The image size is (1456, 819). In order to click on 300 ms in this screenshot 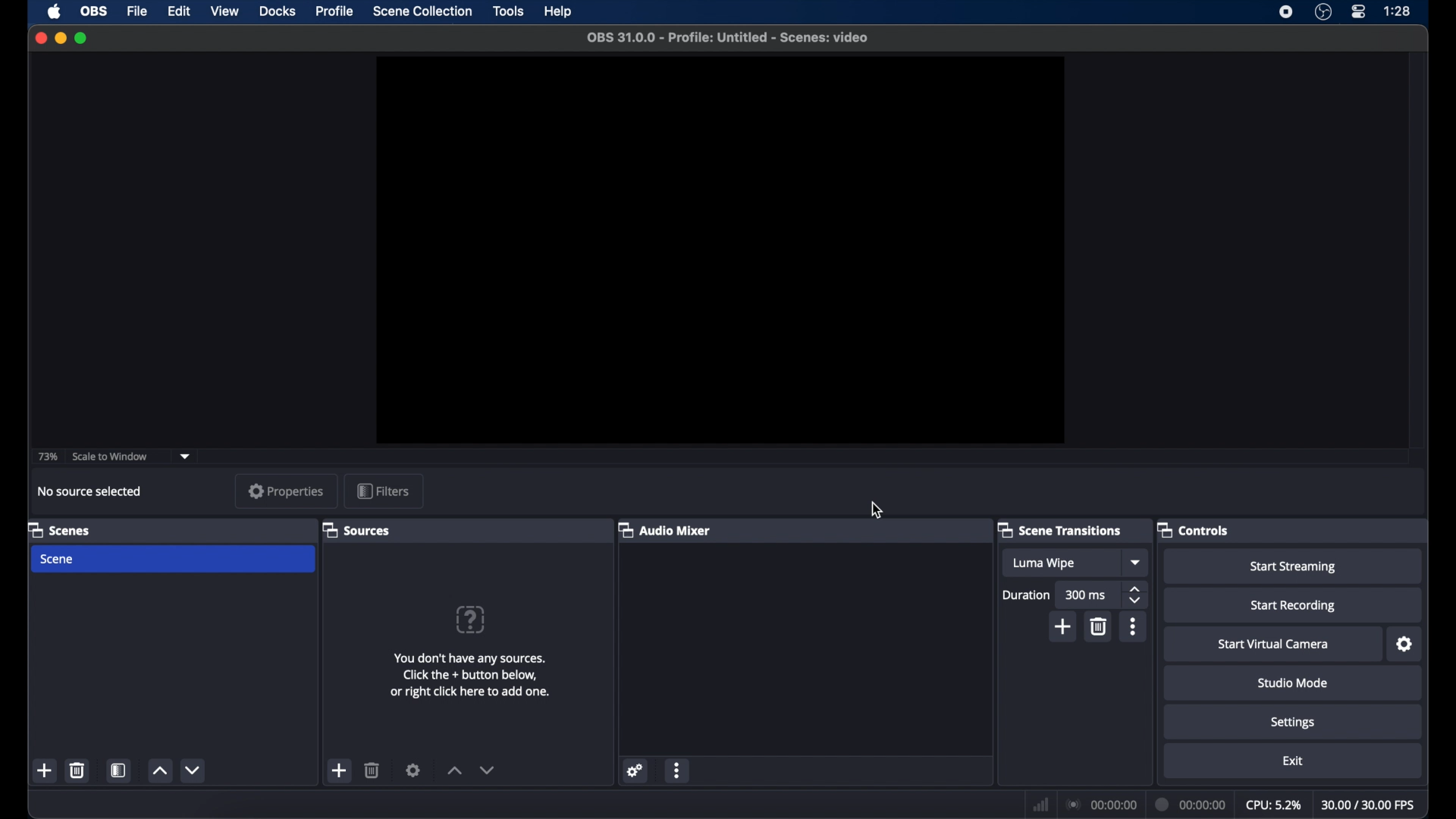, I will do `click(1087, 595)`.